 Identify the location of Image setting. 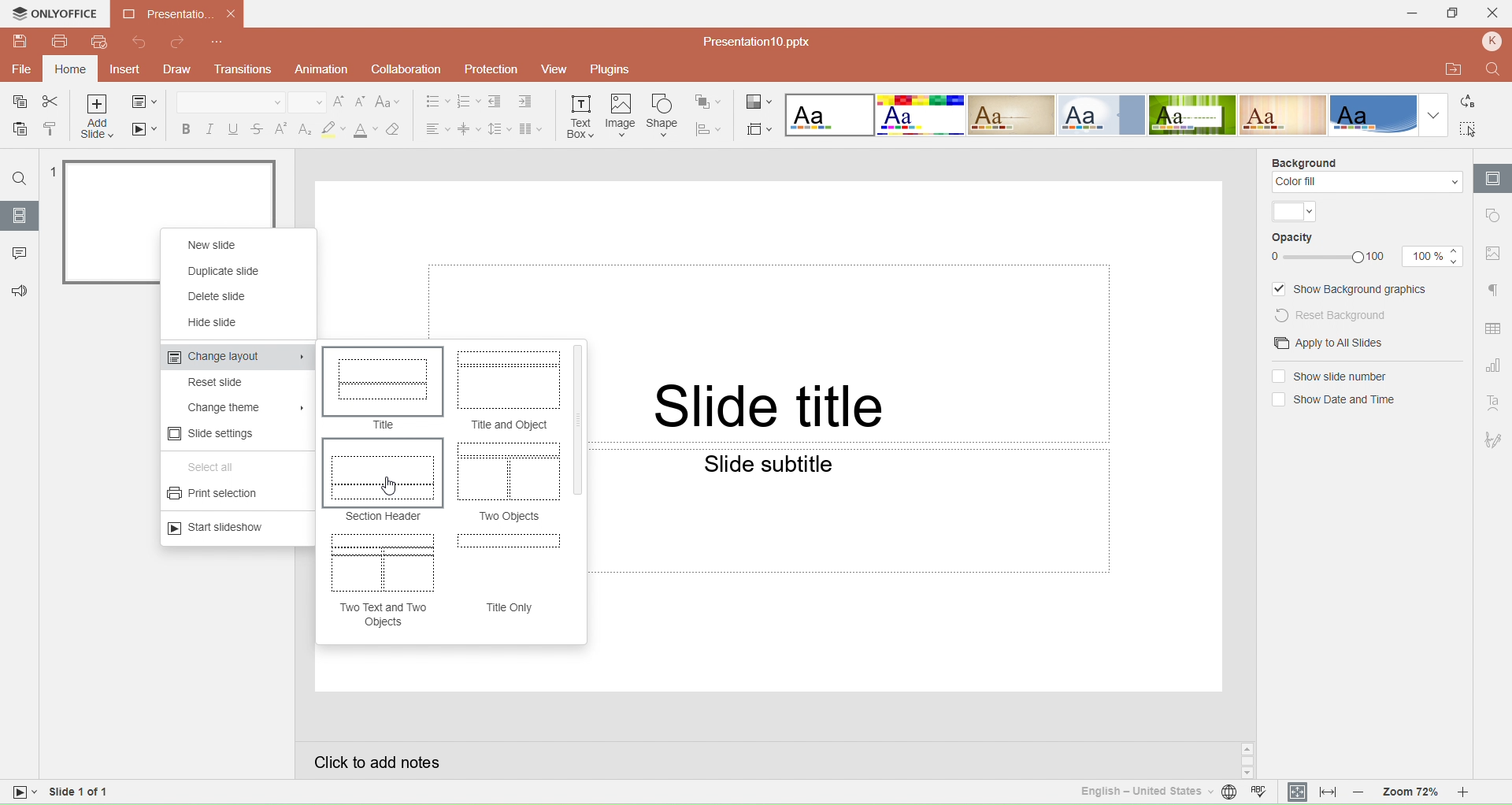
(1493, 254).